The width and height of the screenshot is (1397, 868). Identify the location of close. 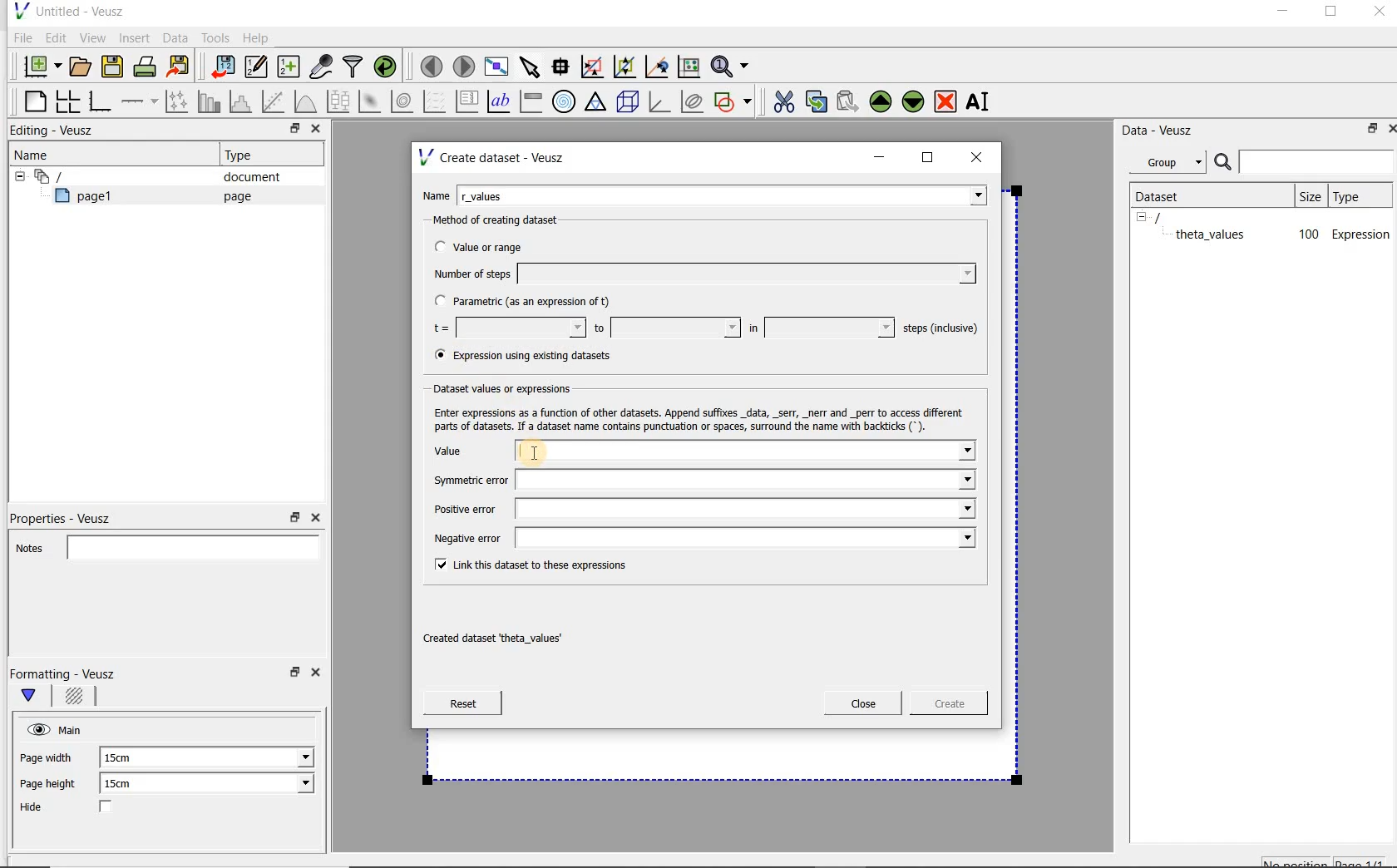
(982, 156).